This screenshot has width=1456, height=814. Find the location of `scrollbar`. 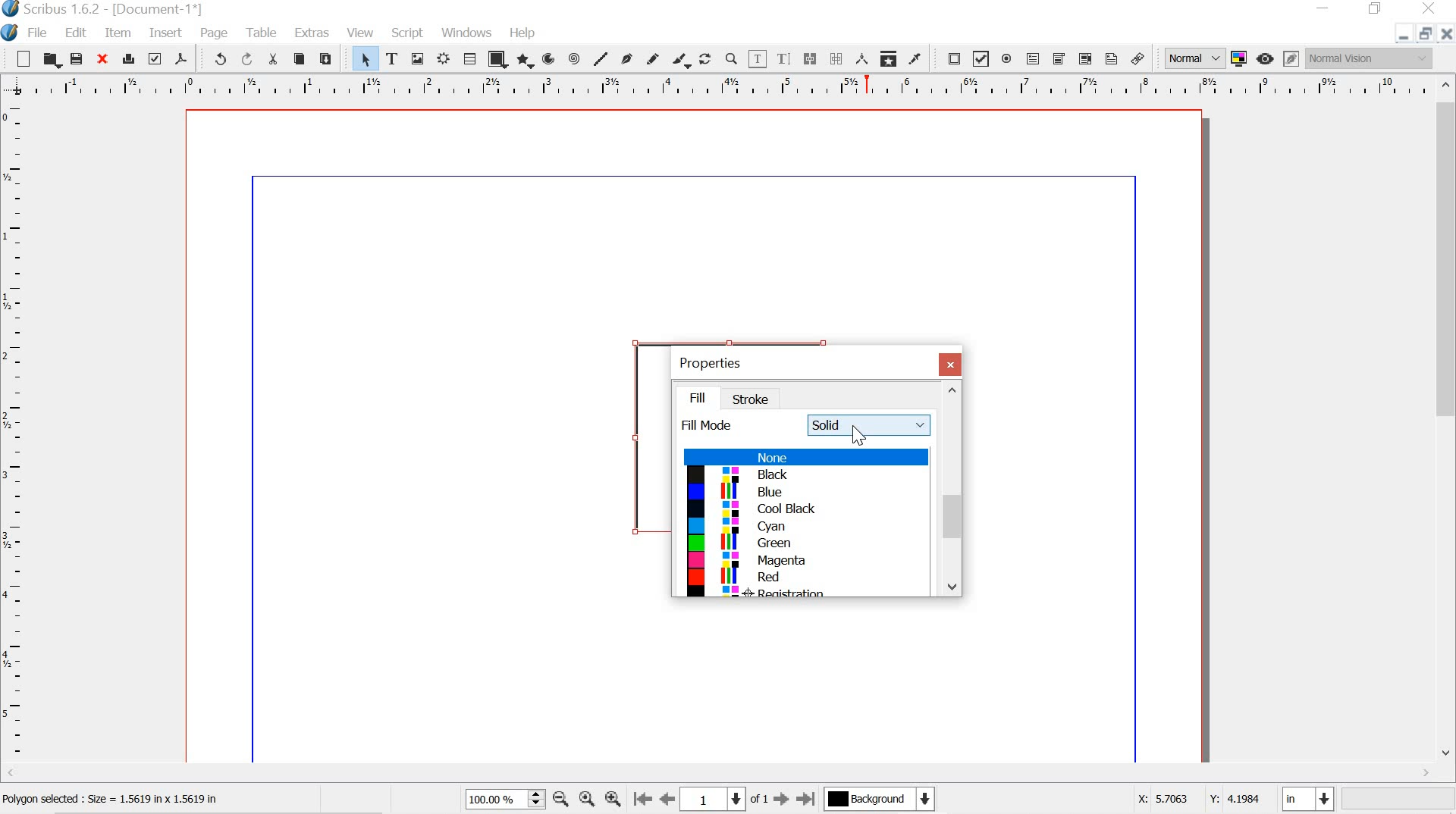

scrollbar is located at coordinates (1445, 422).